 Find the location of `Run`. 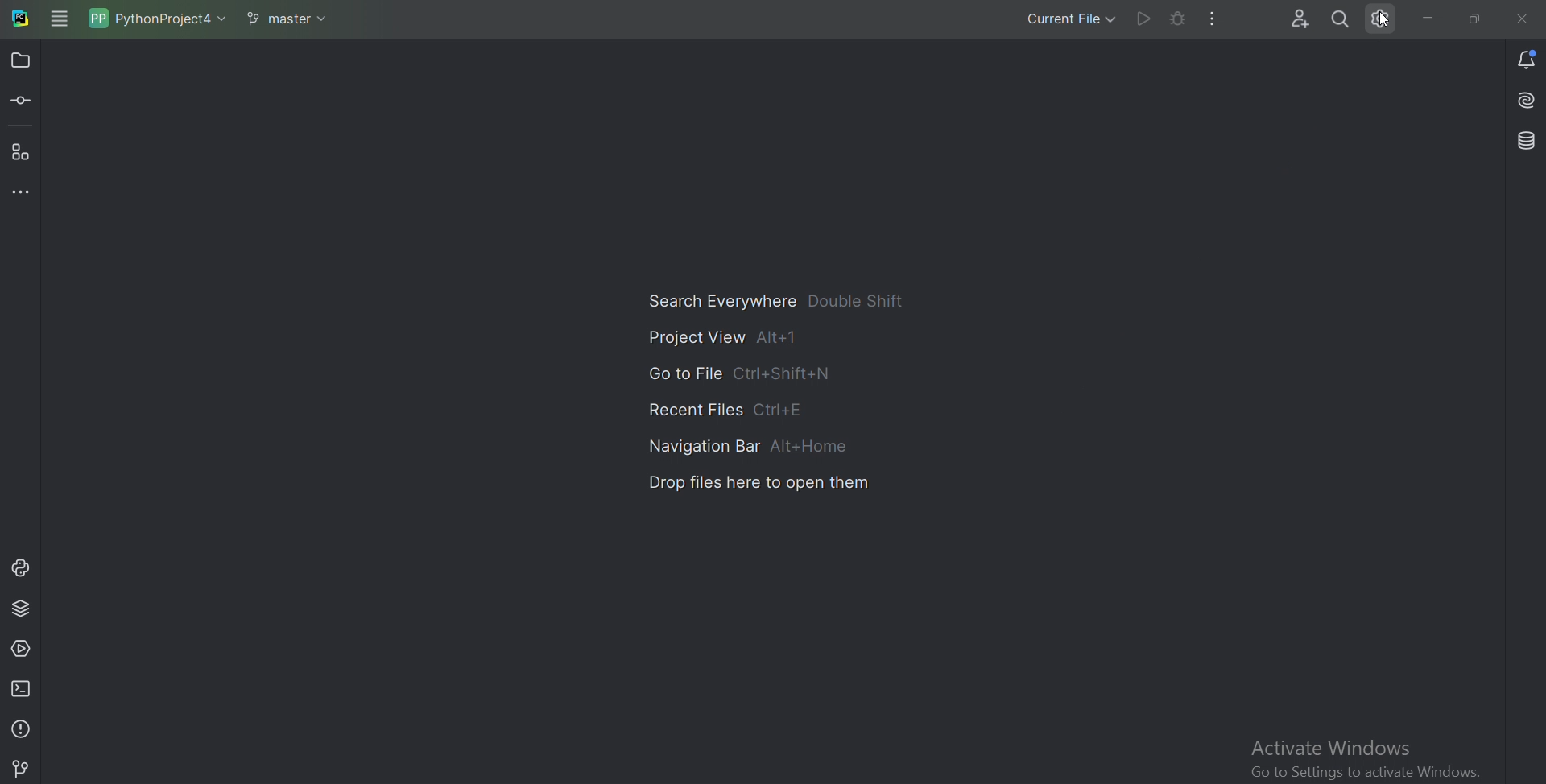

Run is located at coordinates (1143, 17).